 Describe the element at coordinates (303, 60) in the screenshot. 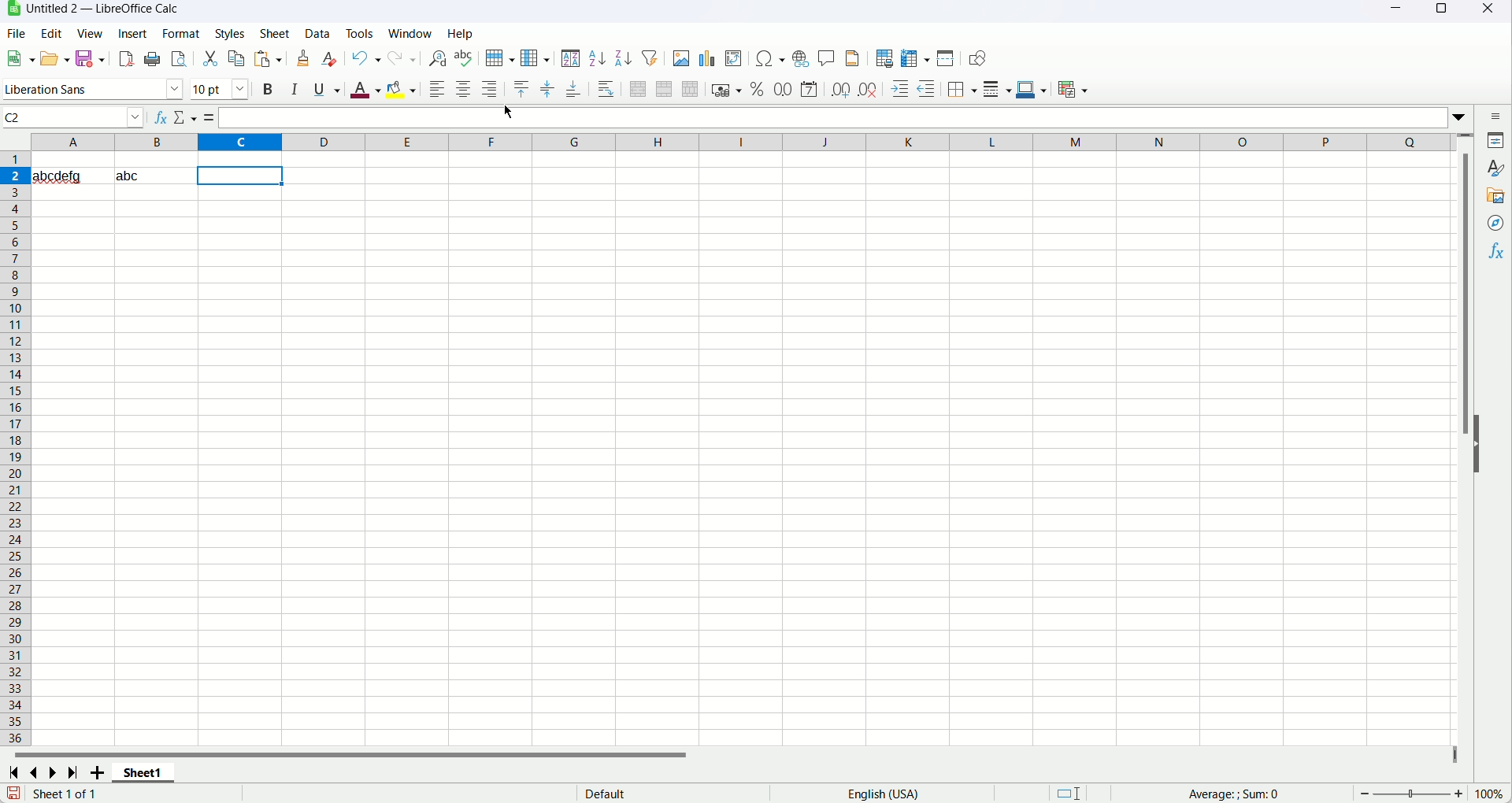

I see `clone formatting` at that location.